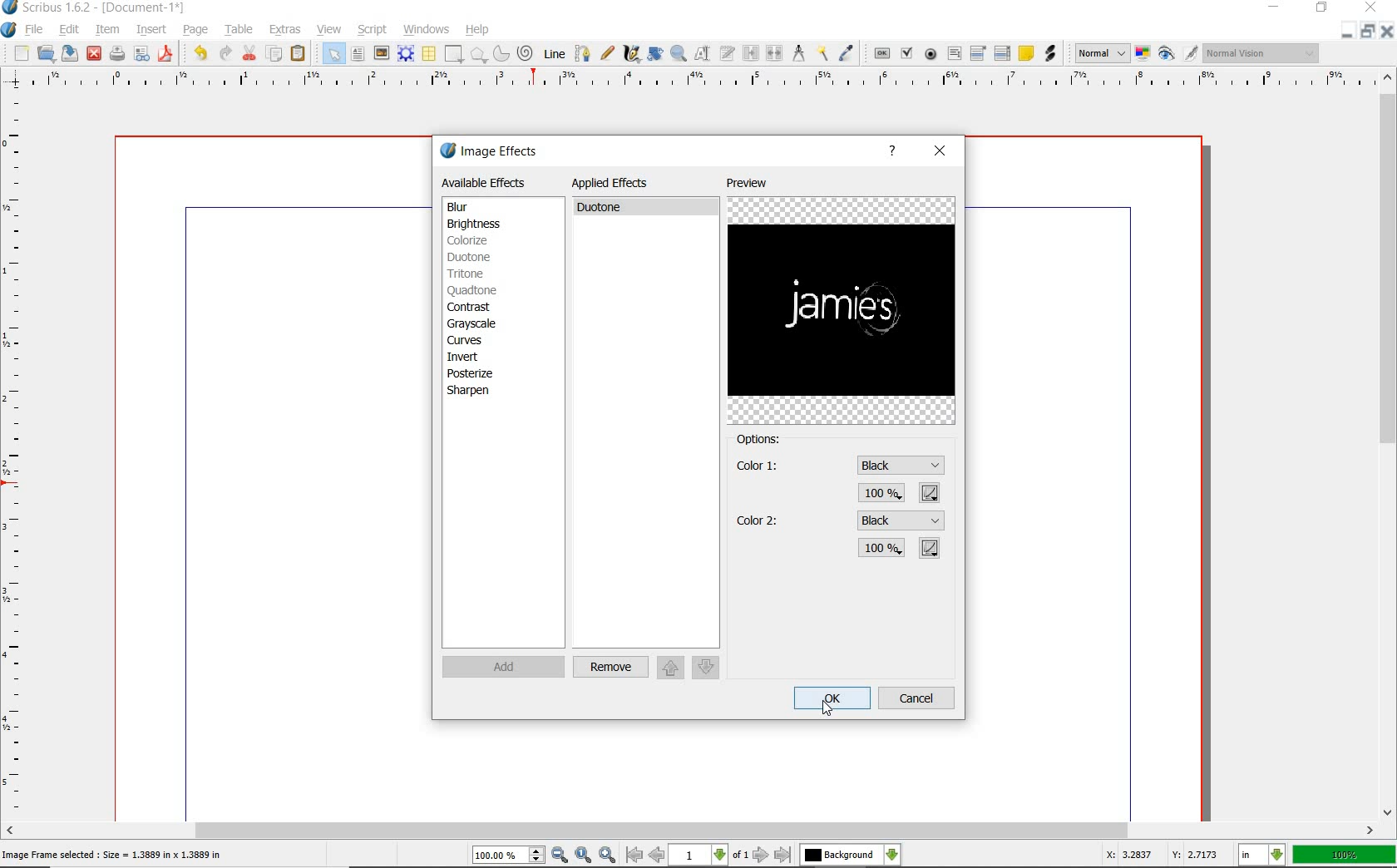 The height and width of the screenshot is (868, 1397). Describe the element at coordinates (467, 340) in the screenshot. I see `curves` at that location.